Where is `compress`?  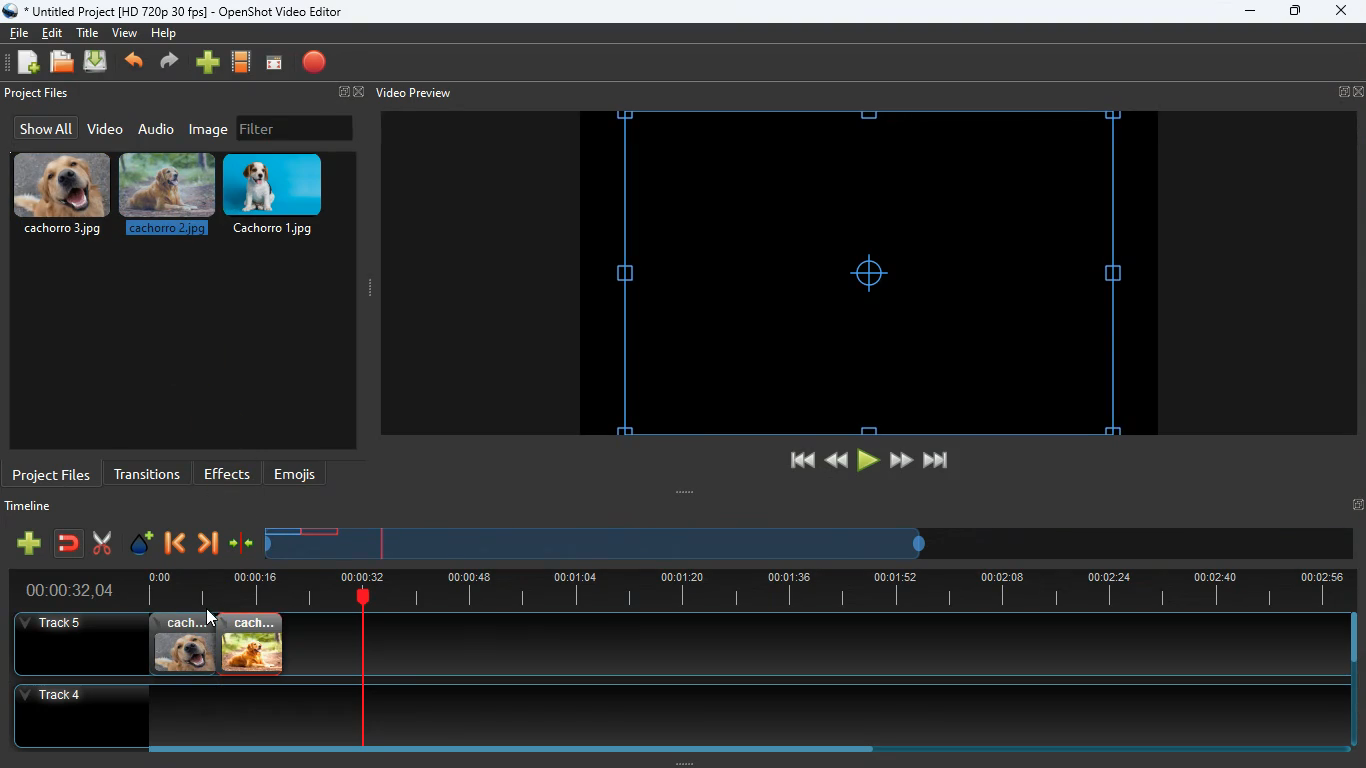
compress is located at coordinates (242, 544).